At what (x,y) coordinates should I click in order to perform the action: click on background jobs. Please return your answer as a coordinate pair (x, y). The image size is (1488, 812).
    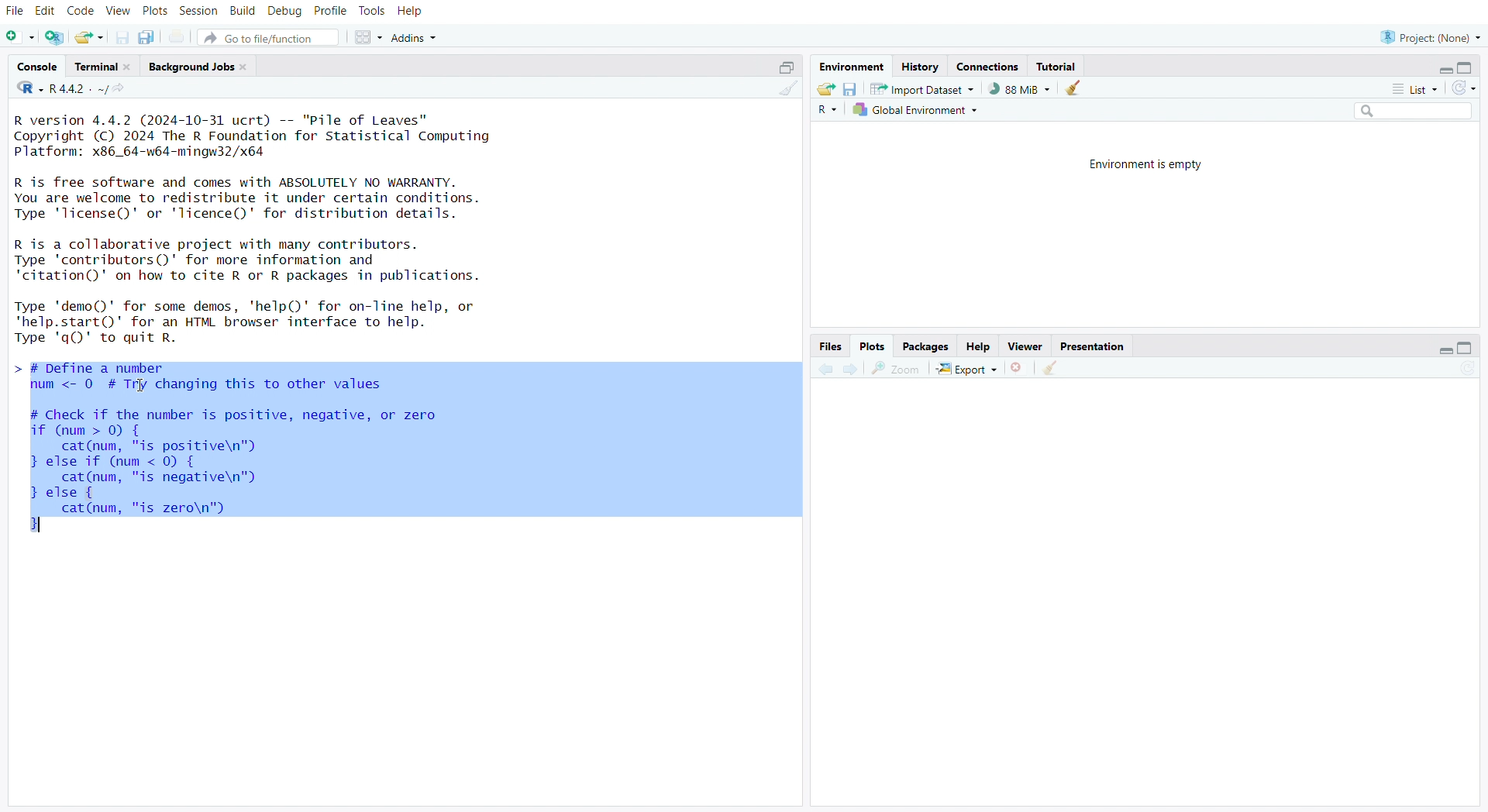
    Looking at the image, I should click on (201, 67).